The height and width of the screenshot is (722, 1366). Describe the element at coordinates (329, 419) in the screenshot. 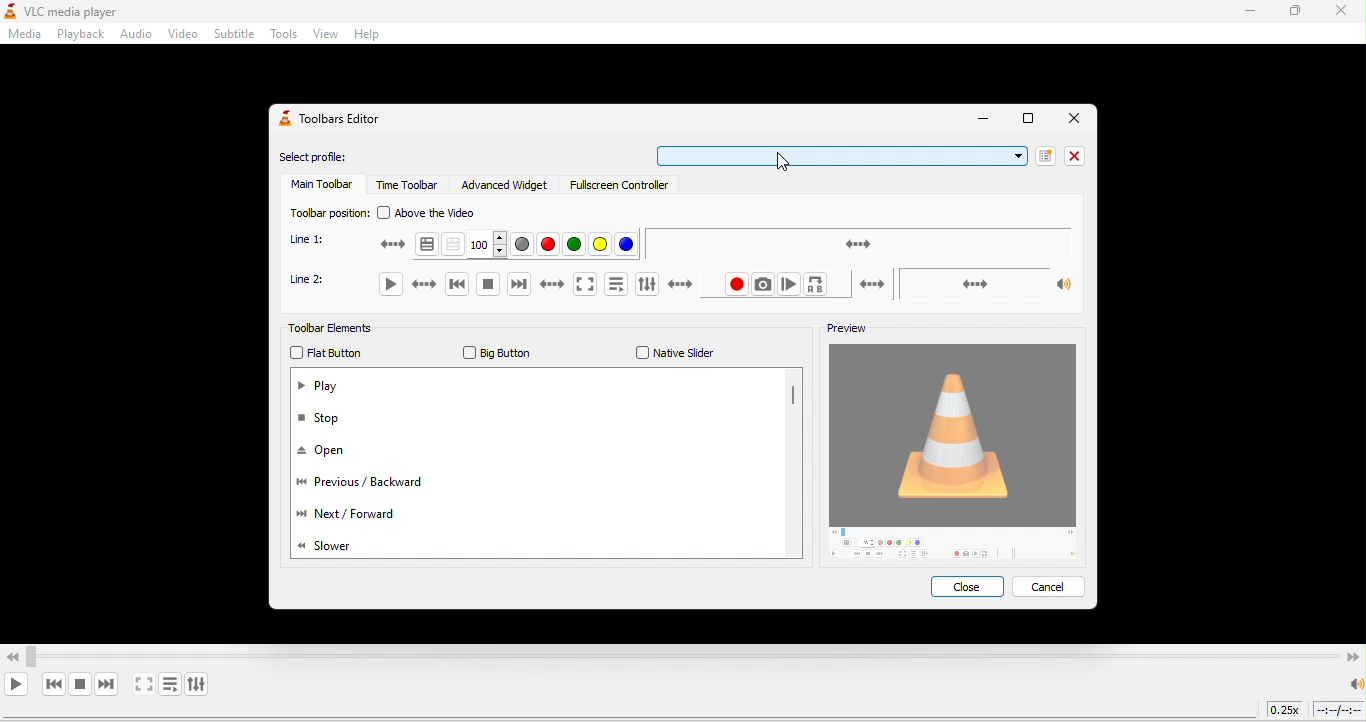

I see `stop` at that location.